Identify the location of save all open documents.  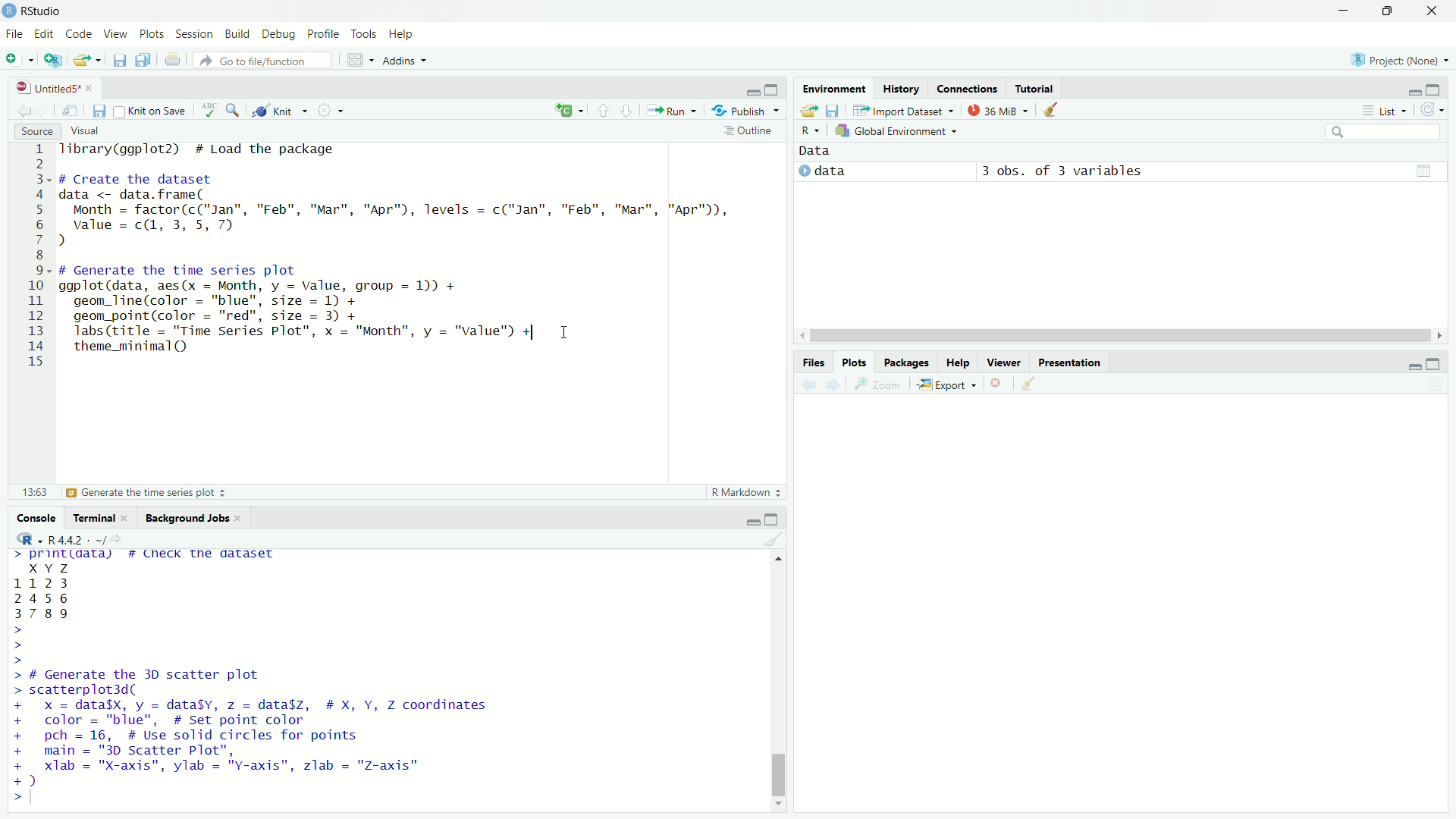
(143, 60).